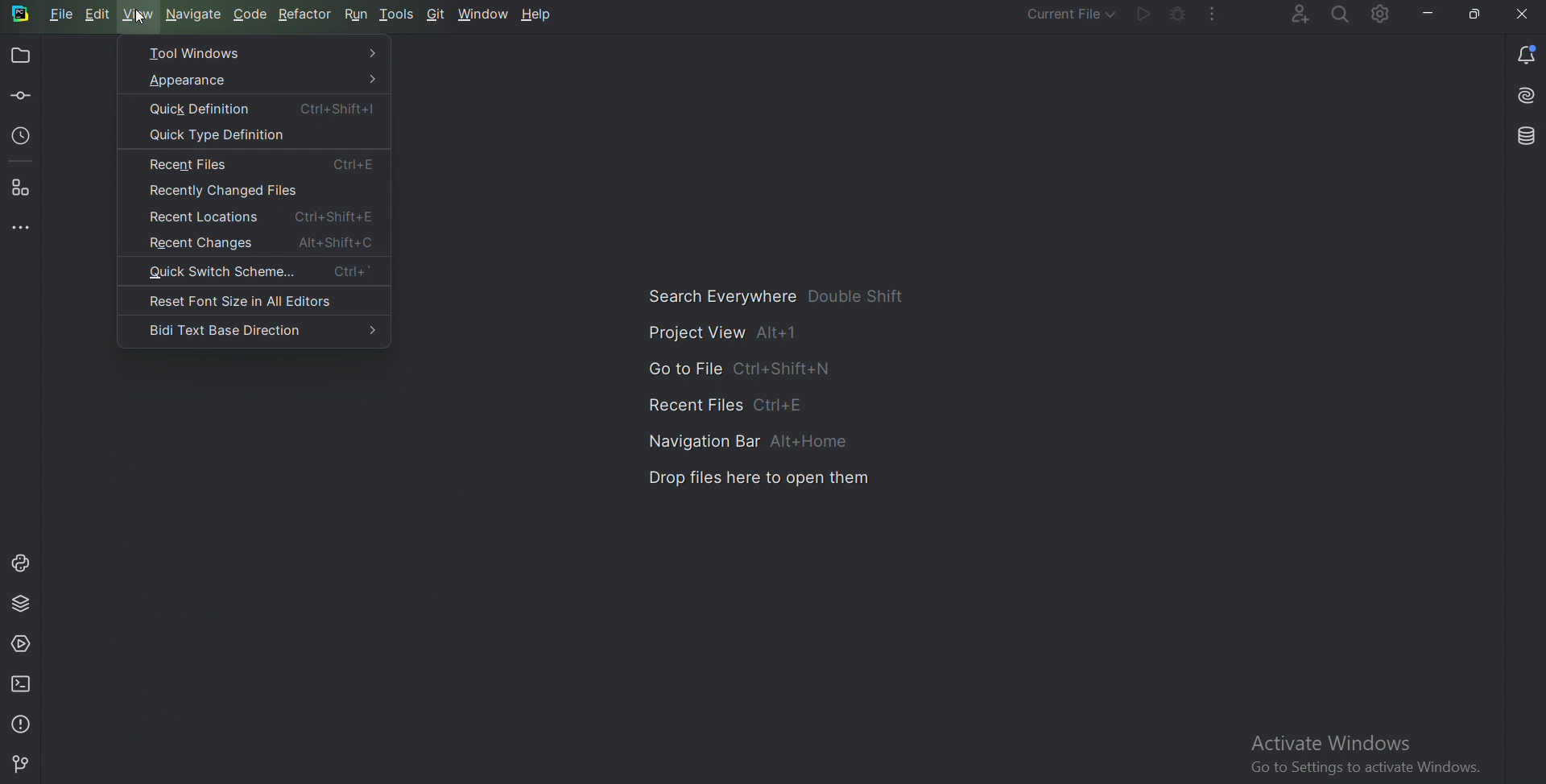 This screenshot has height=784, width=1546. I want to click on Quick definition, so click(254, 109).